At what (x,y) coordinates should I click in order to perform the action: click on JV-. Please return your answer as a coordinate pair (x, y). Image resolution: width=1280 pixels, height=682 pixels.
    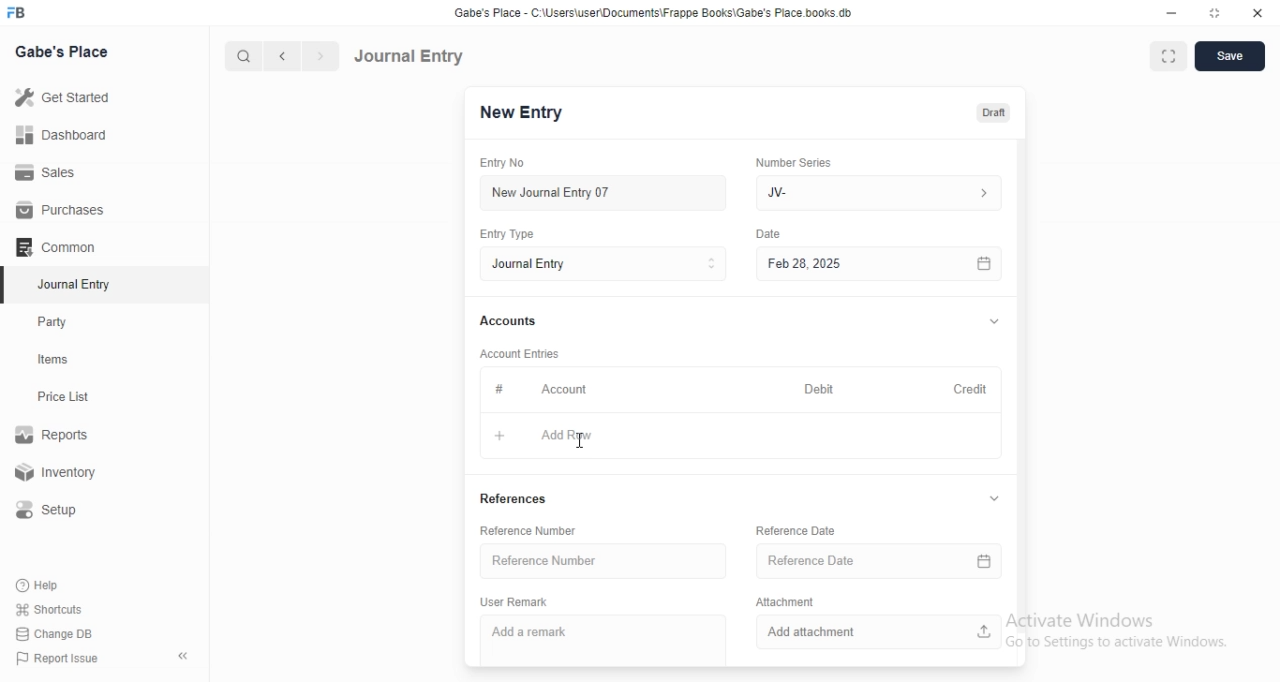
    Looking at the image, I should click on (883, 193).